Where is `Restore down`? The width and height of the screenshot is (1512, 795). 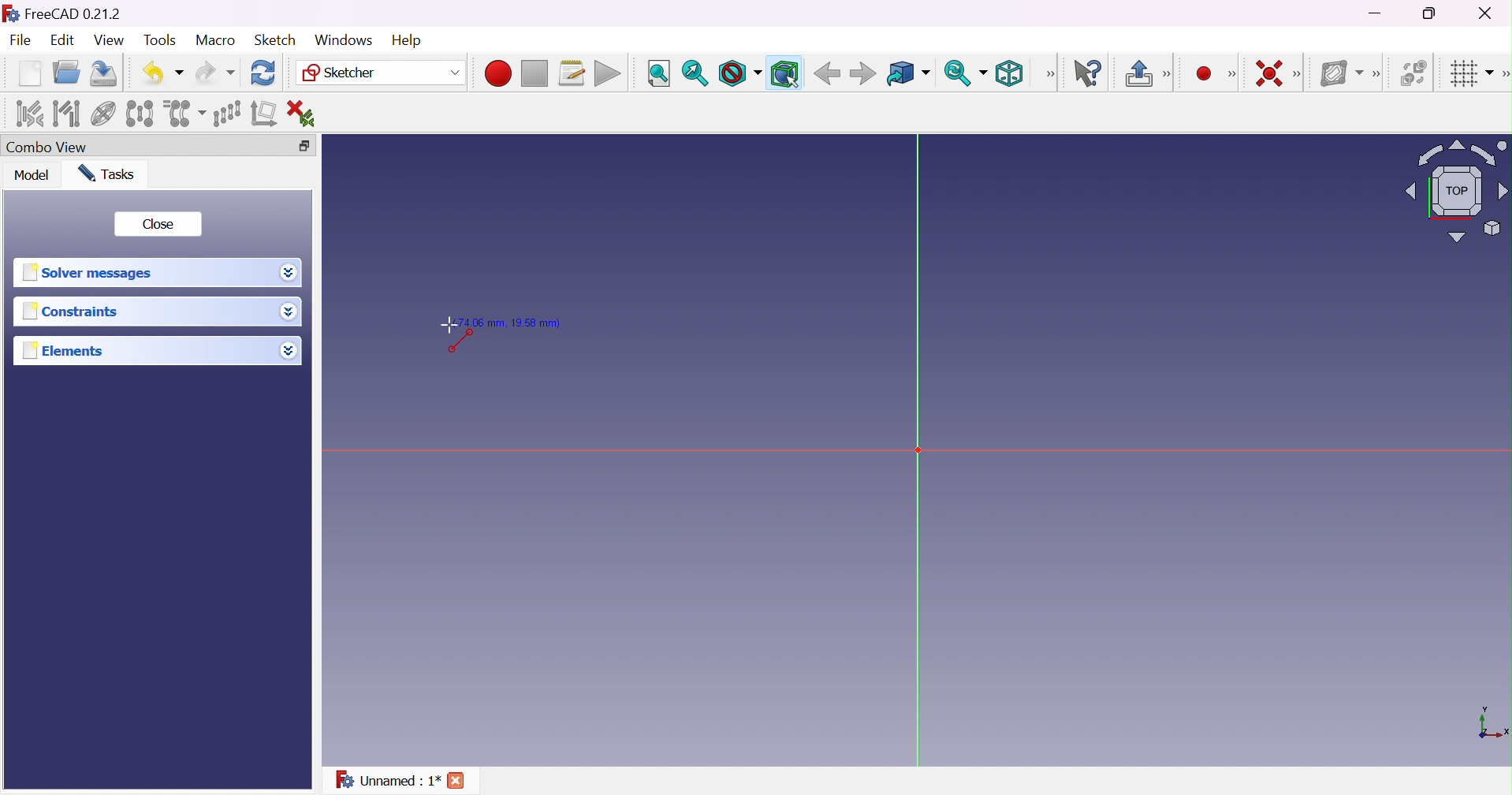
Restore down is located at coordinates (1432, 14).